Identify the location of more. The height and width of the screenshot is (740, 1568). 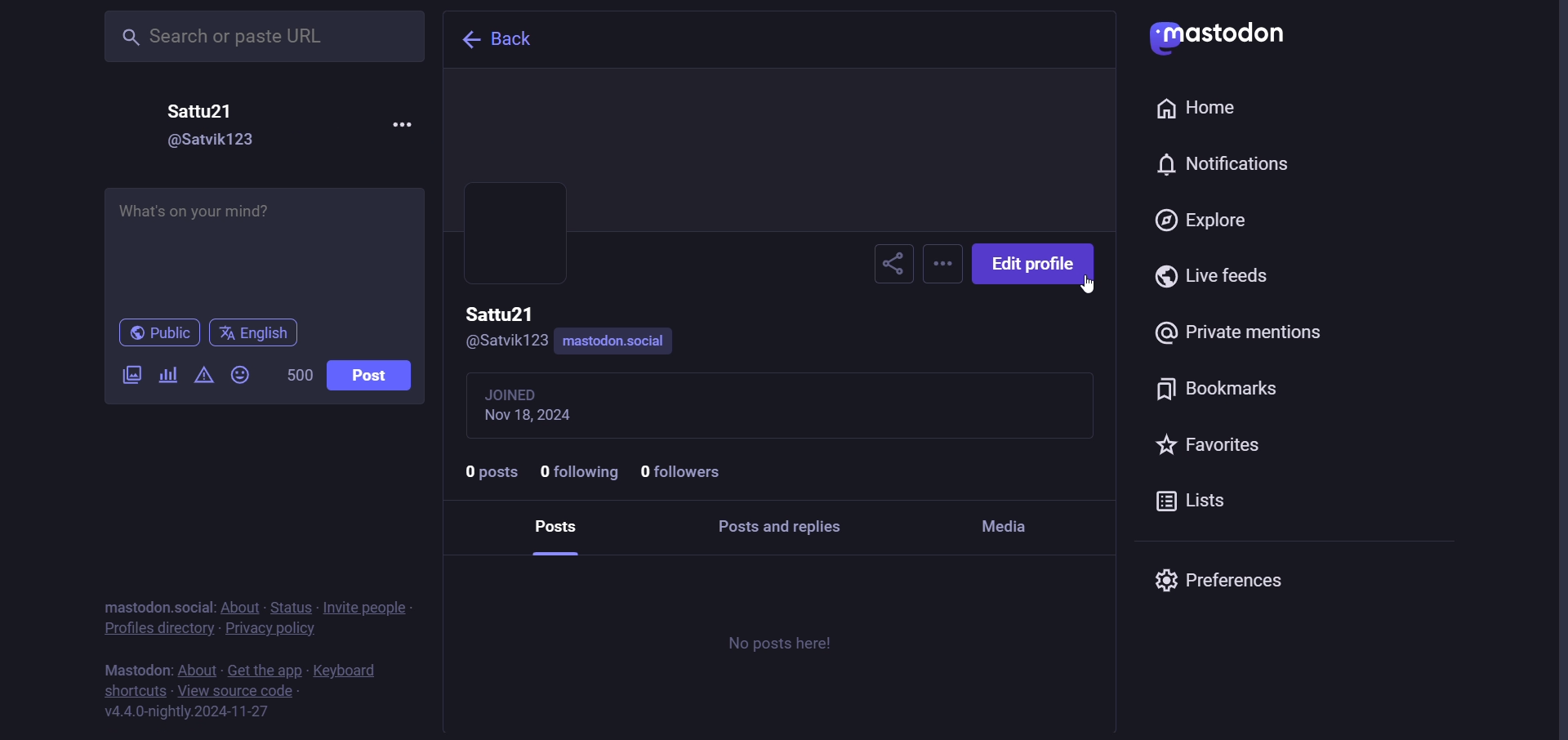
(400, 122).